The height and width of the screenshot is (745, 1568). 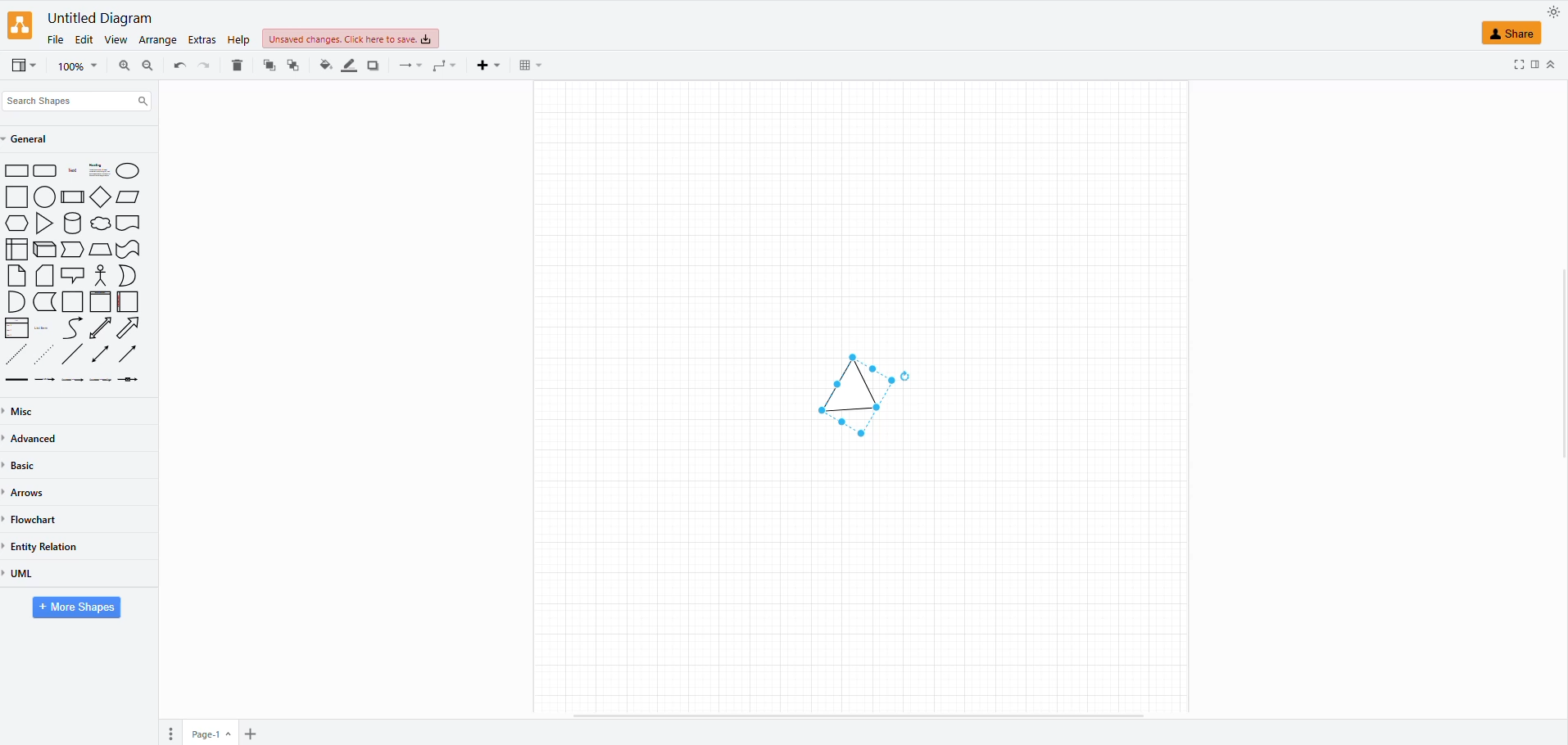 What do you see at coordinates (100, 327) in the screenshot?
I see `Two sided bordered Arrow` at bounding box center [100, 327].